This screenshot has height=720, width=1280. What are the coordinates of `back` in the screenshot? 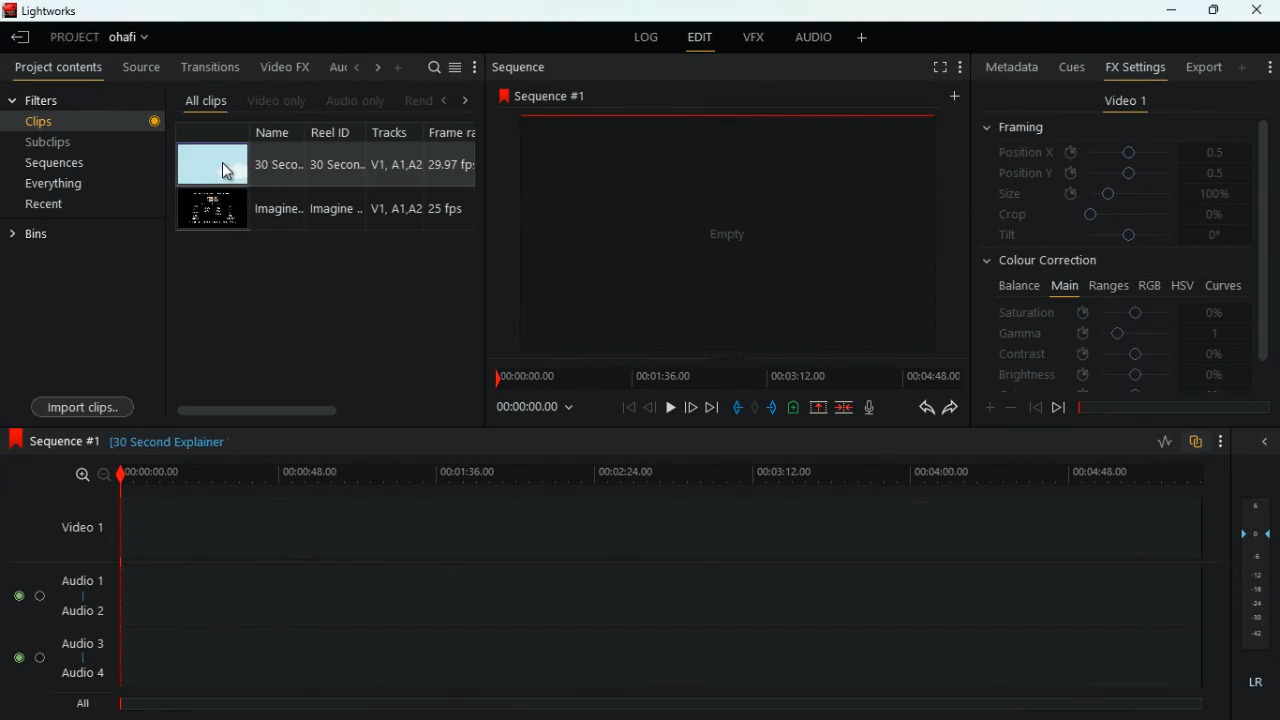 It's located at (919, 408).